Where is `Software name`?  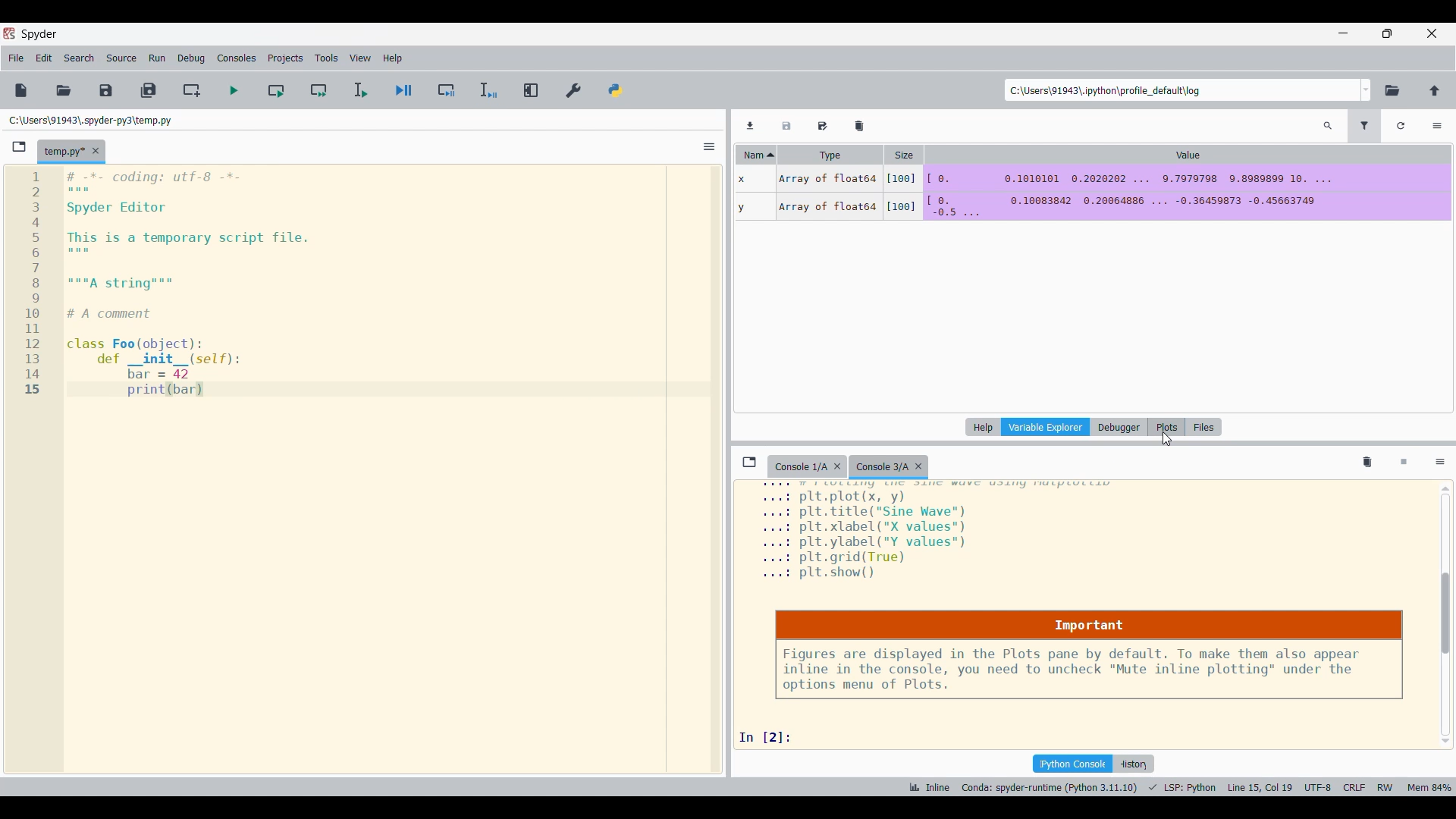
Software name is located at coordinates (38, 34).